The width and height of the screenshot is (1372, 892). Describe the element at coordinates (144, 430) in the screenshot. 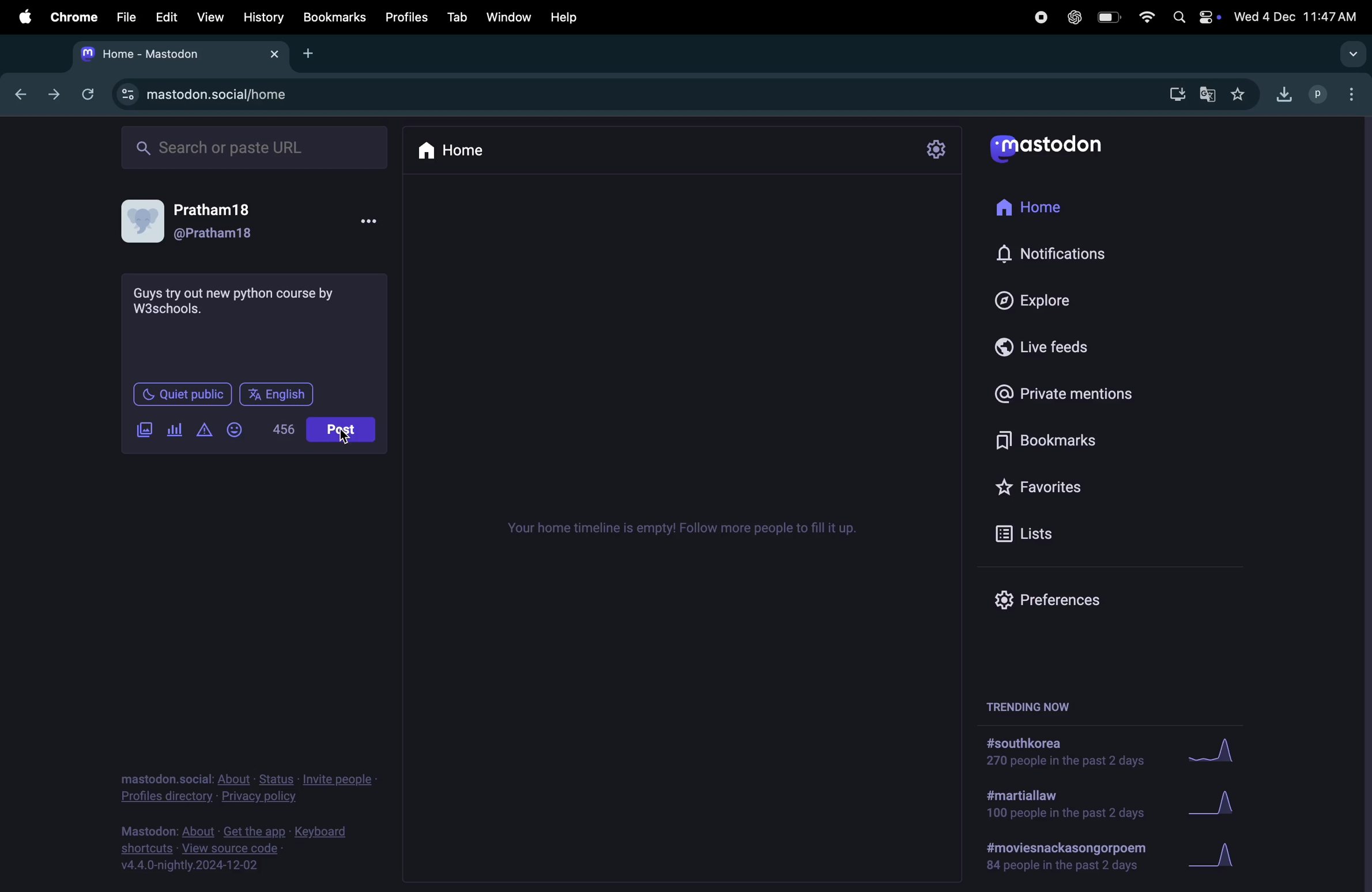

I see `images` at that location.